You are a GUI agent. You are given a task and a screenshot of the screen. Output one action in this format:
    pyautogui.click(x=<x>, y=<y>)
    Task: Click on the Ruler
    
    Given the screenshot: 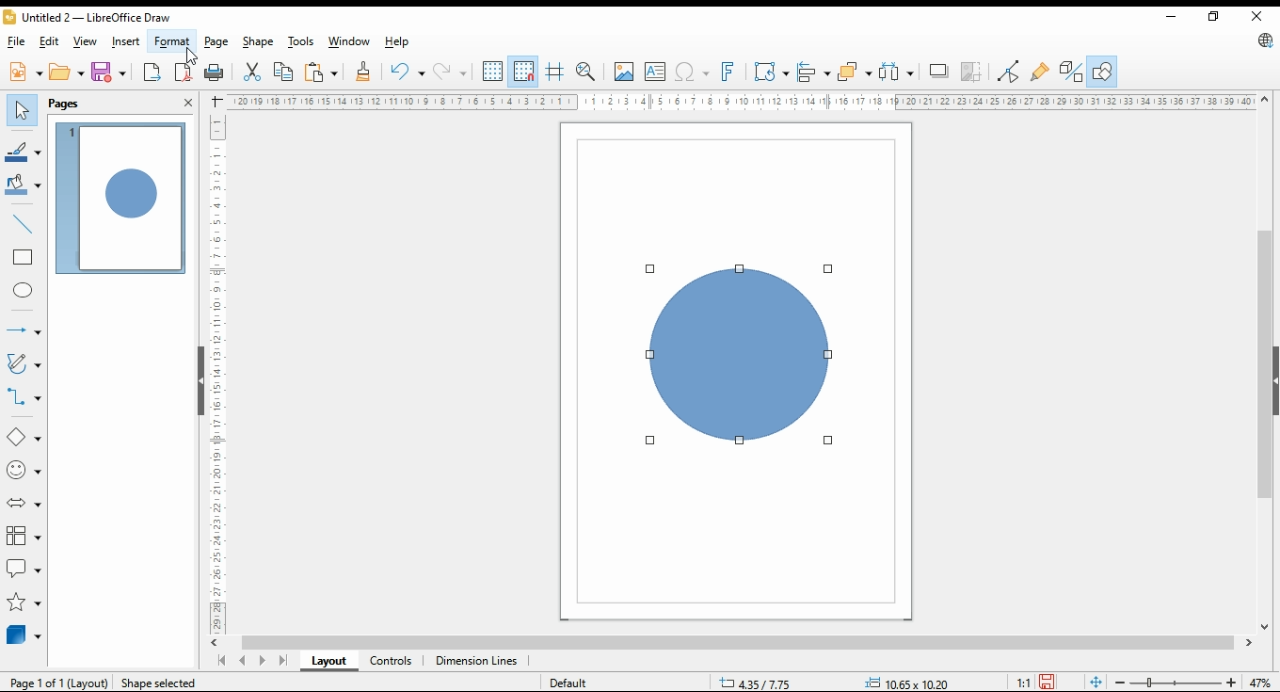 What is the action you would take?
    pyautogui.click(x=218, y=369)
    